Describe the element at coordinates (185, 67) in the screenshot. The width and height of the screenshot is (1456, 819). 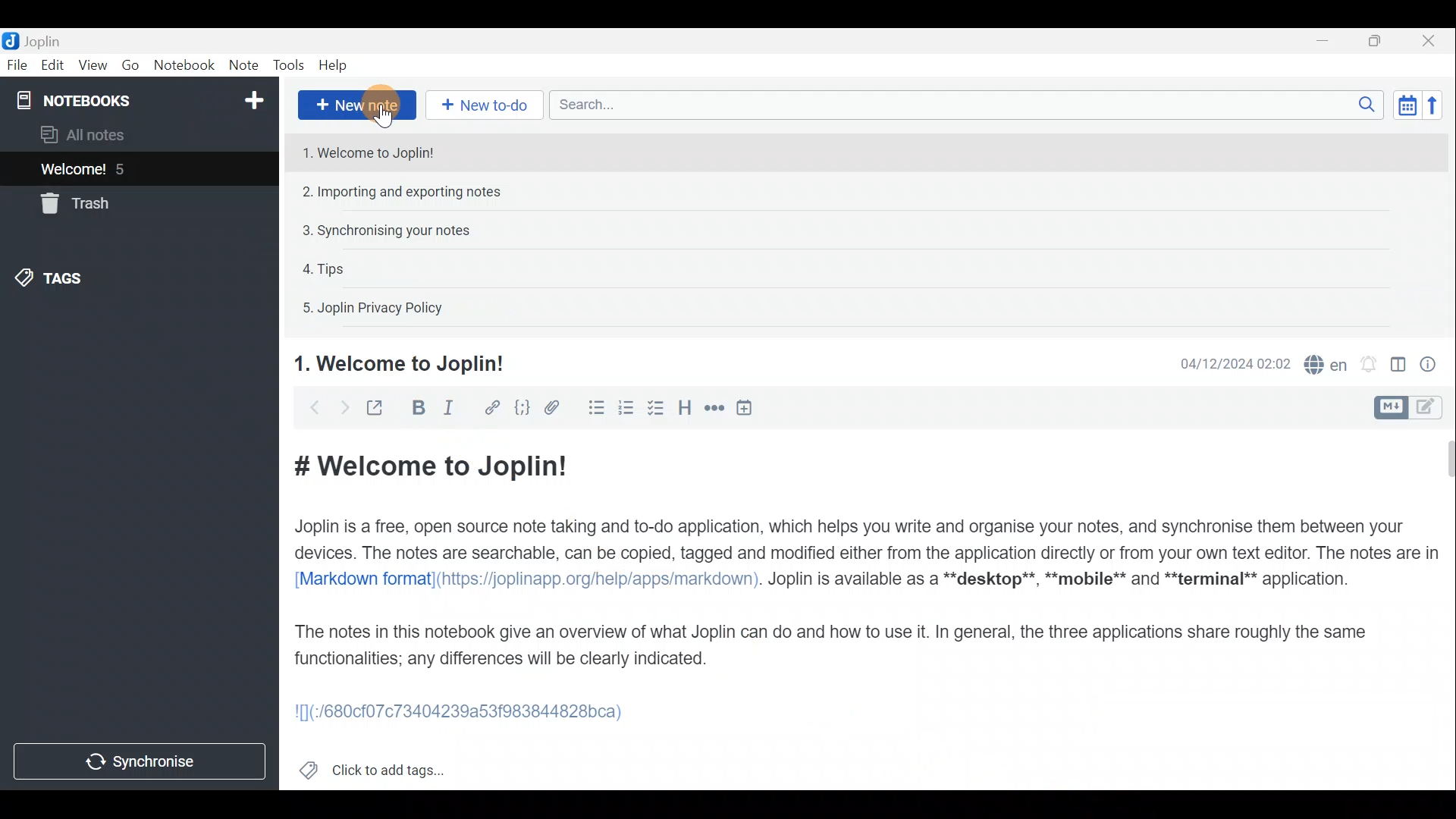
I see `Notebook` at that location.